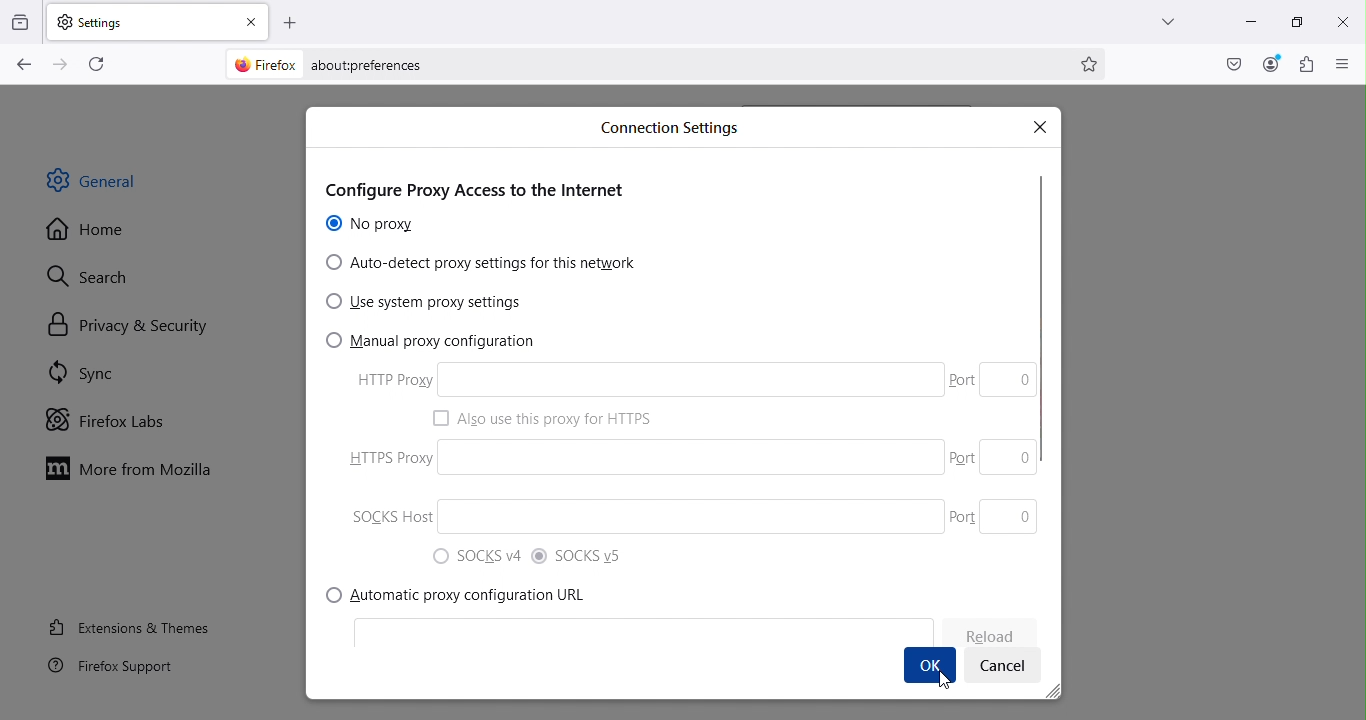 The width and height of the screenshot is (1366, 720). Describe the element at coordinates (106, 673) in the screenshot. I see `FireFox support` at that location.